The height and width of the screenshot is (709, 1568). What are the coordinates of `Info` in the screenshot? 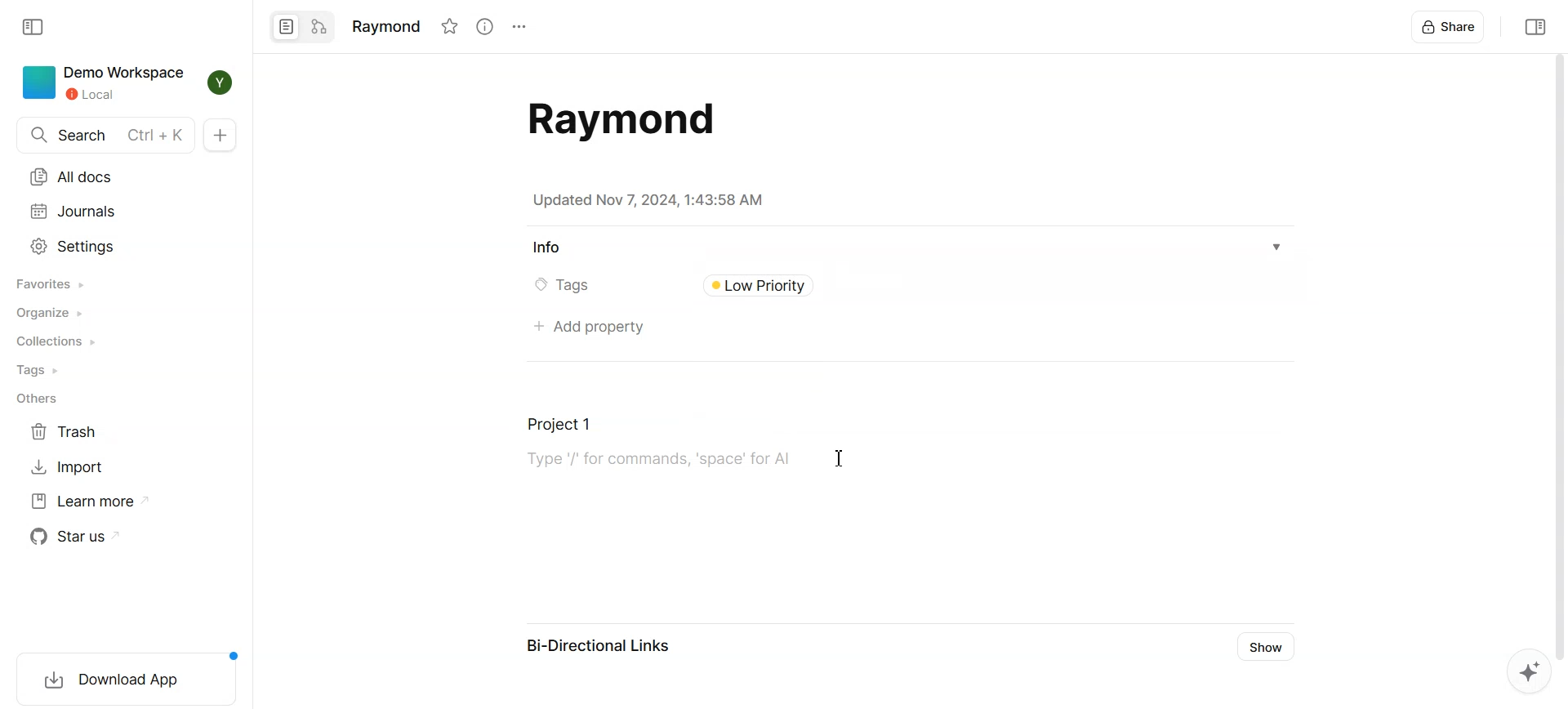 It's located at (546, 248).